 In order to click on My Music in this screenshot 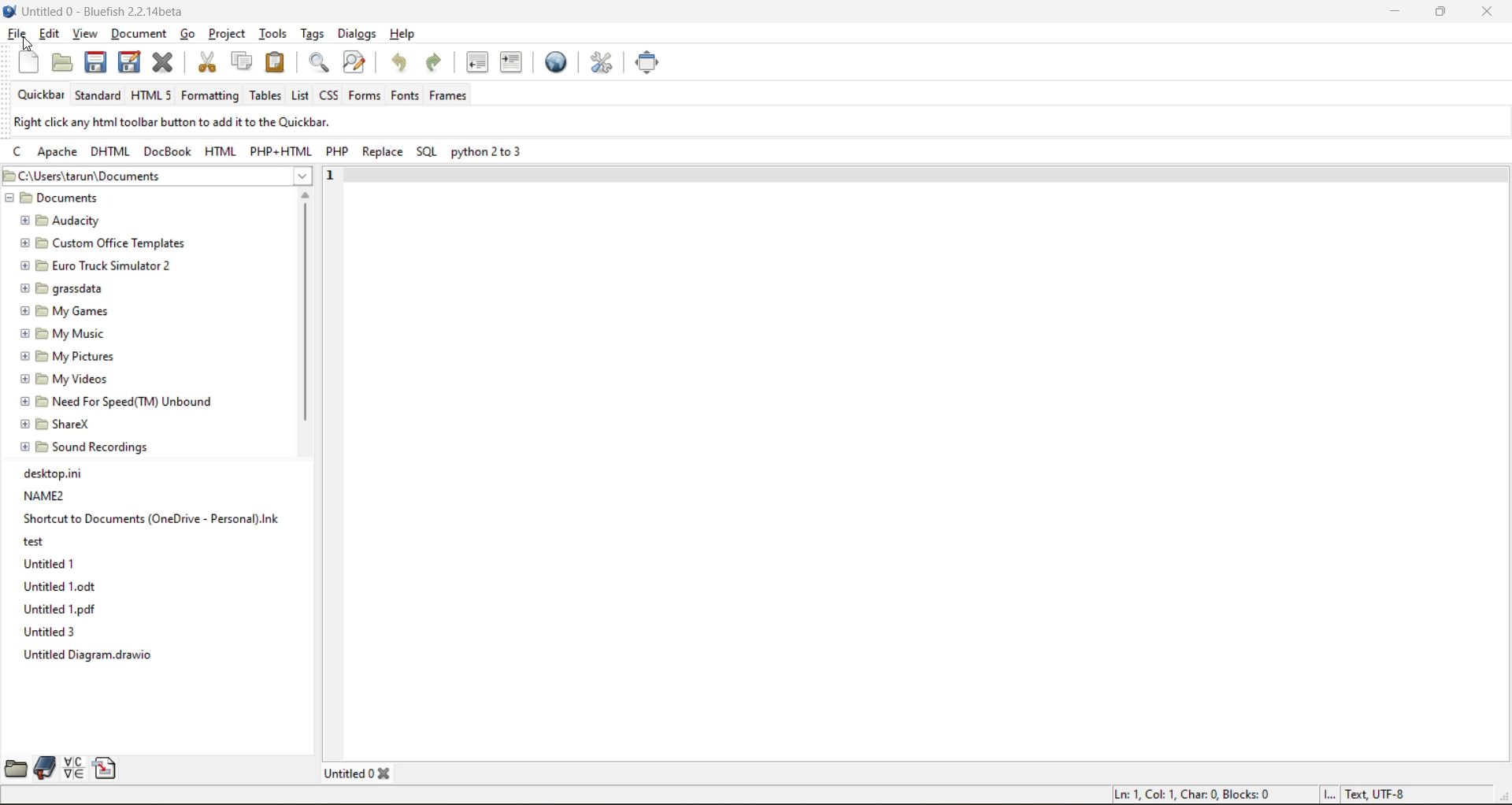, I will do `click(67, 334)`.